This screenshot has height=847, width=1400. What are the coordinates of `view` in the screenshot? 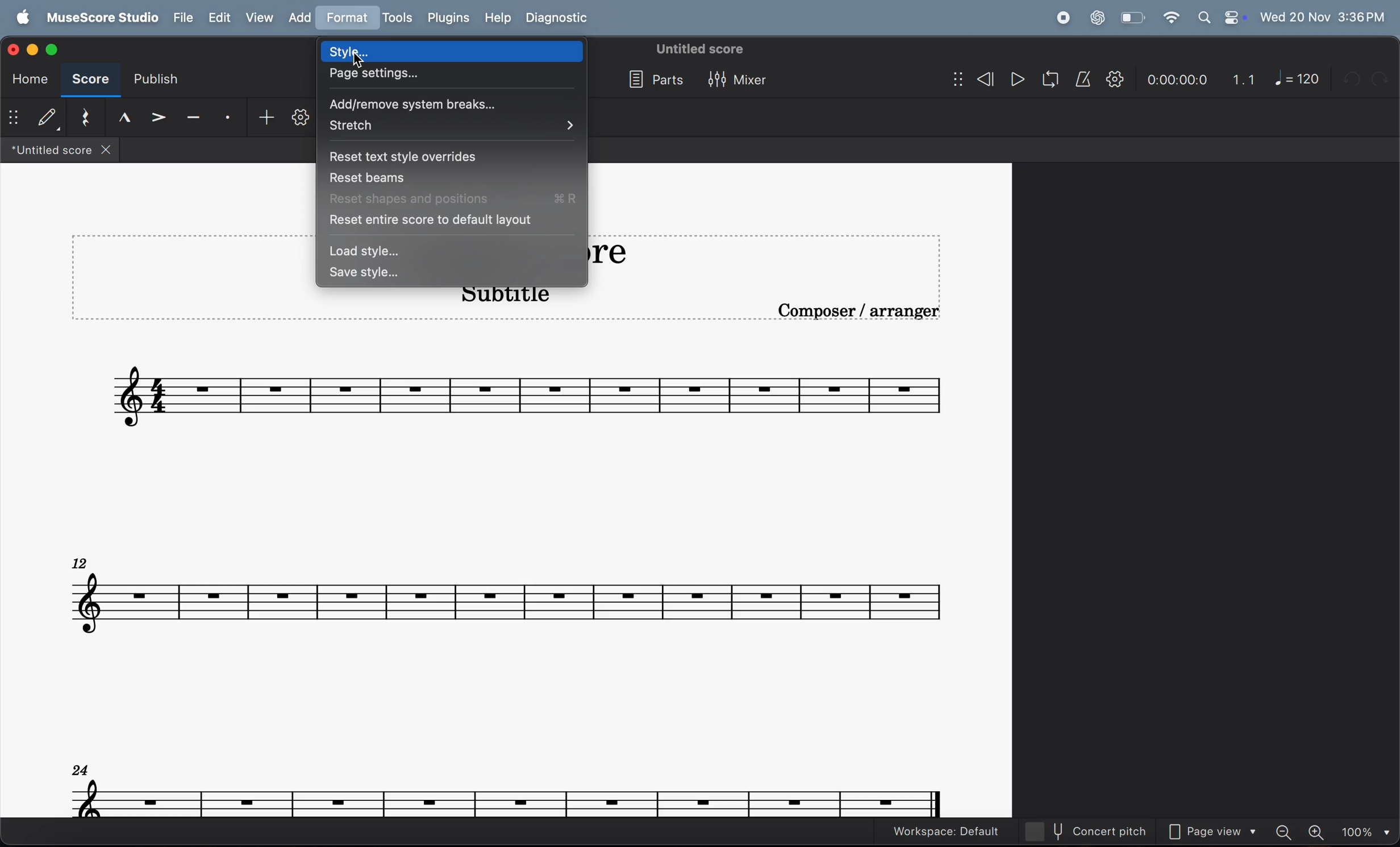 It's located at (261, 18).